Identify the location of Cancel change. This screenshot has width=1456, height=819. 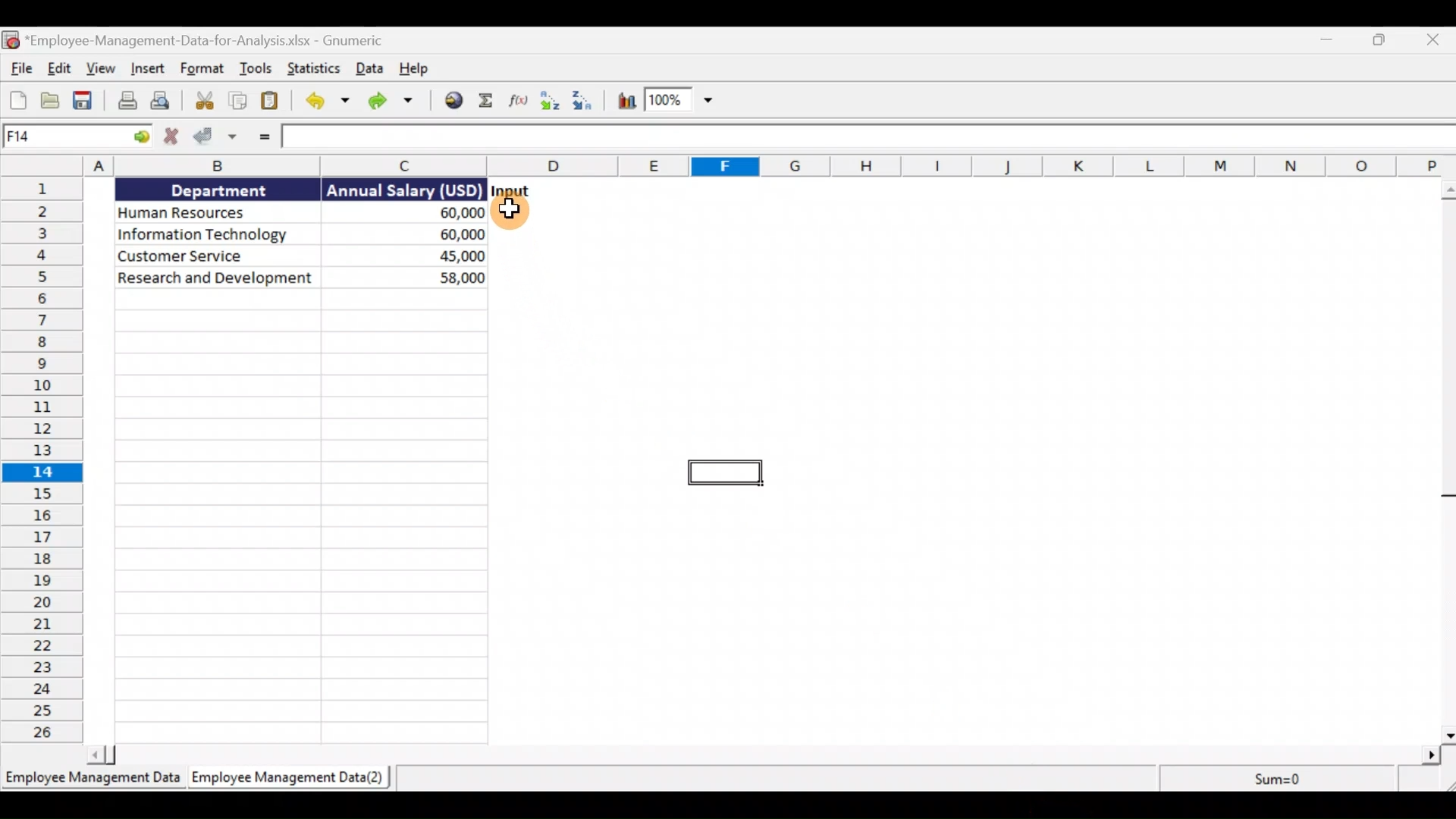
(170, 140).